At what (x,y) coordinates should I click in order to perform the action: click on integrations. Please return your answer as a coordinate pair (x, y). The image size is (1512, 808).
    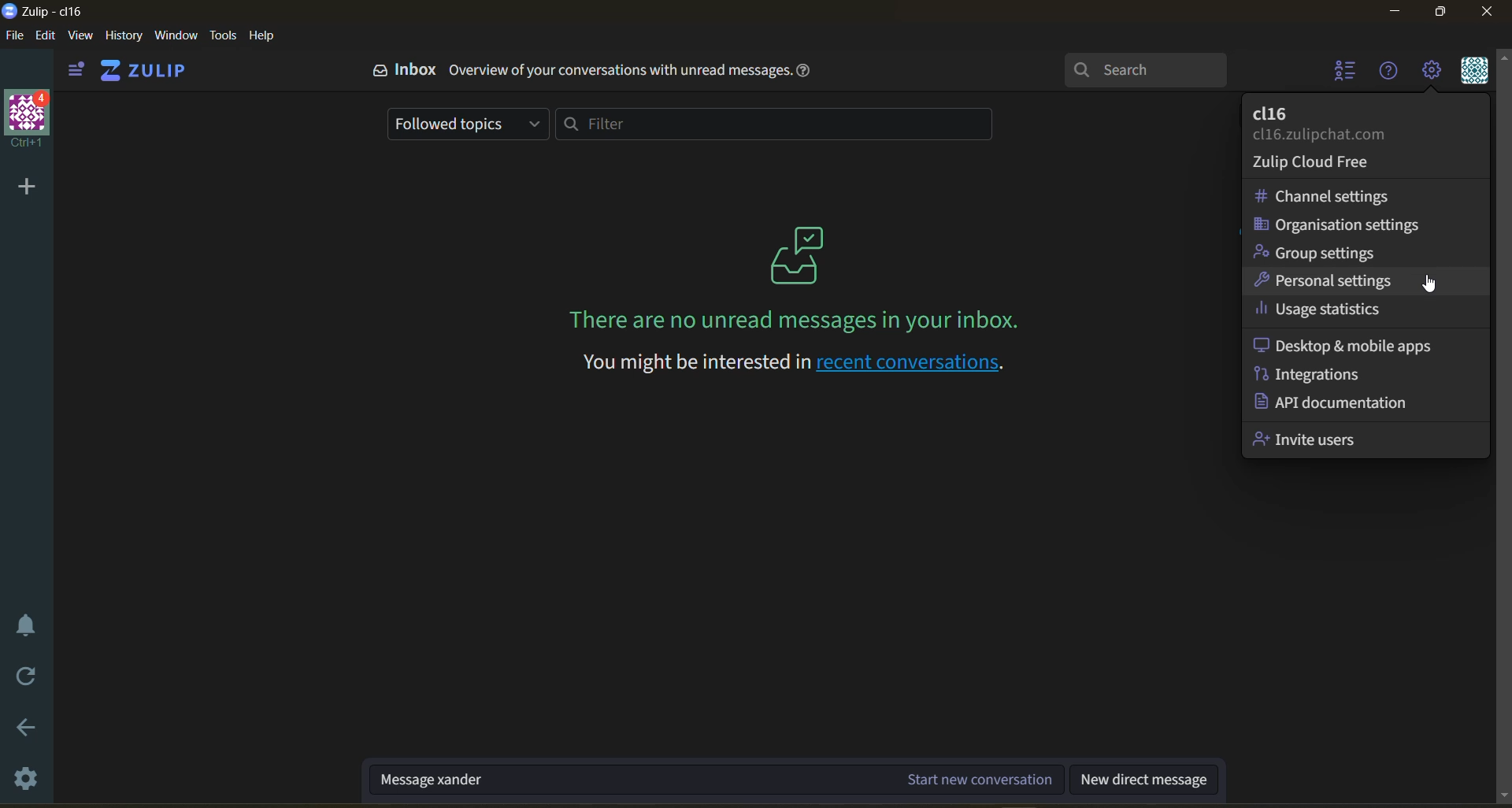
    Looking at the image, I should click on (1313, 374).